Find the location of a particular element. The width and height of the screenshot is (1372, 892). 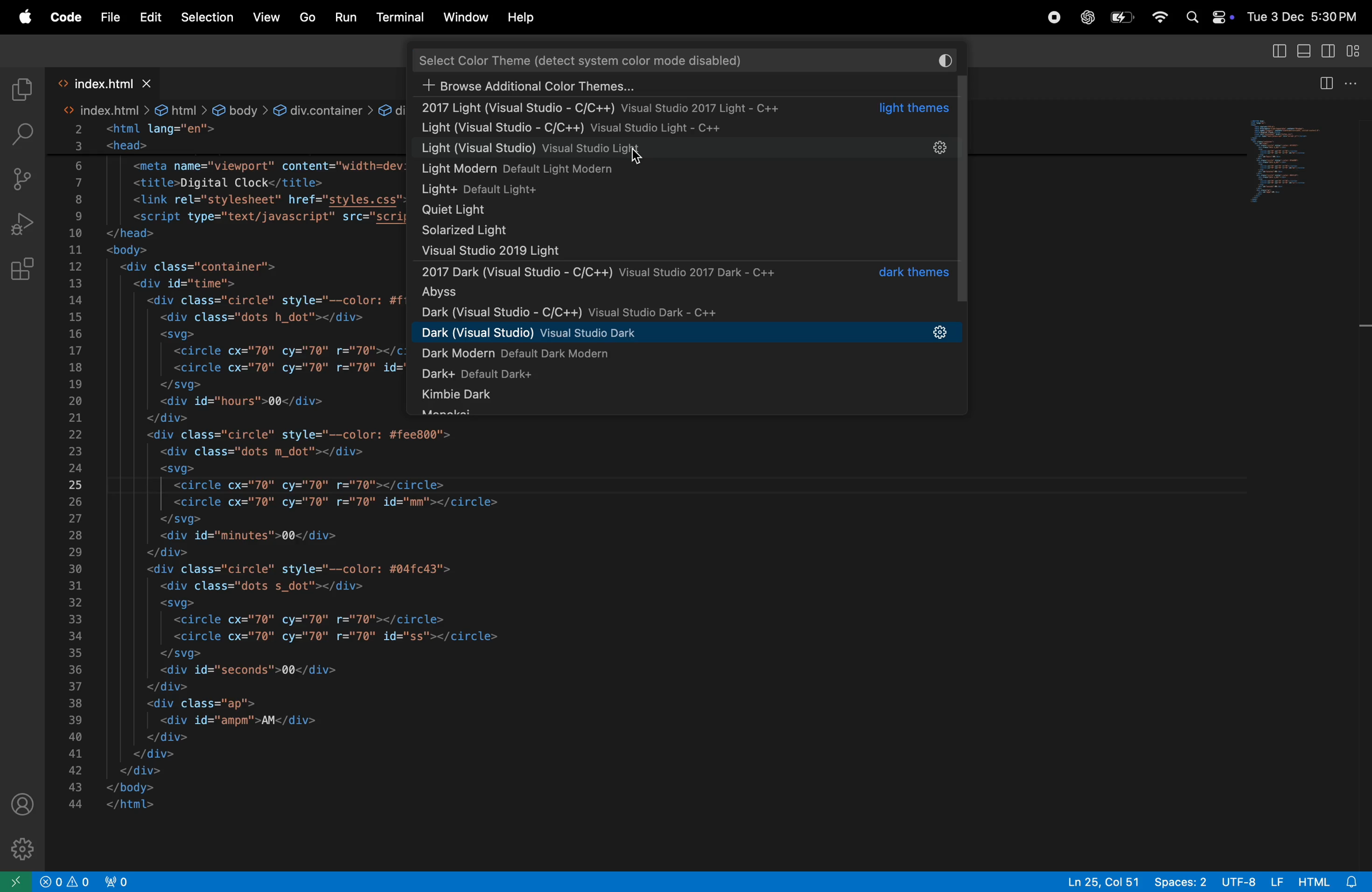

lights is located at coordinates (585, 191).